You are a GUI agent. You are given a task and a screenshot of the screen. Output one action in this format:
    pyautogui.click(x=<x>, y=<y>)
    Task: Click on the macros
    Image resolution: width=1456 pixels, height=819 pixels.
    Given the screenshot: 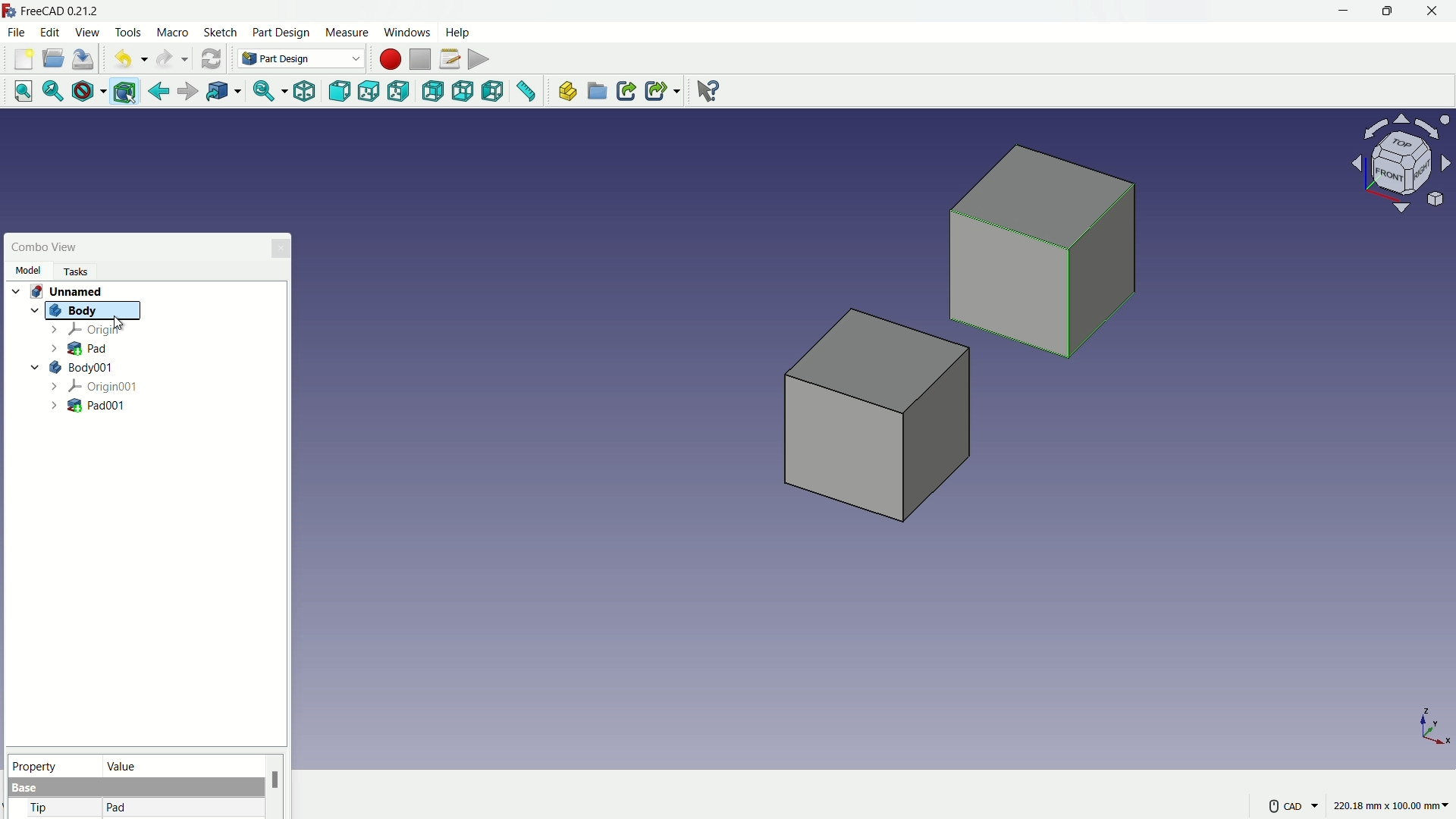 What is the action you would take?
    pyautogui.click(x=449, y=58)
    